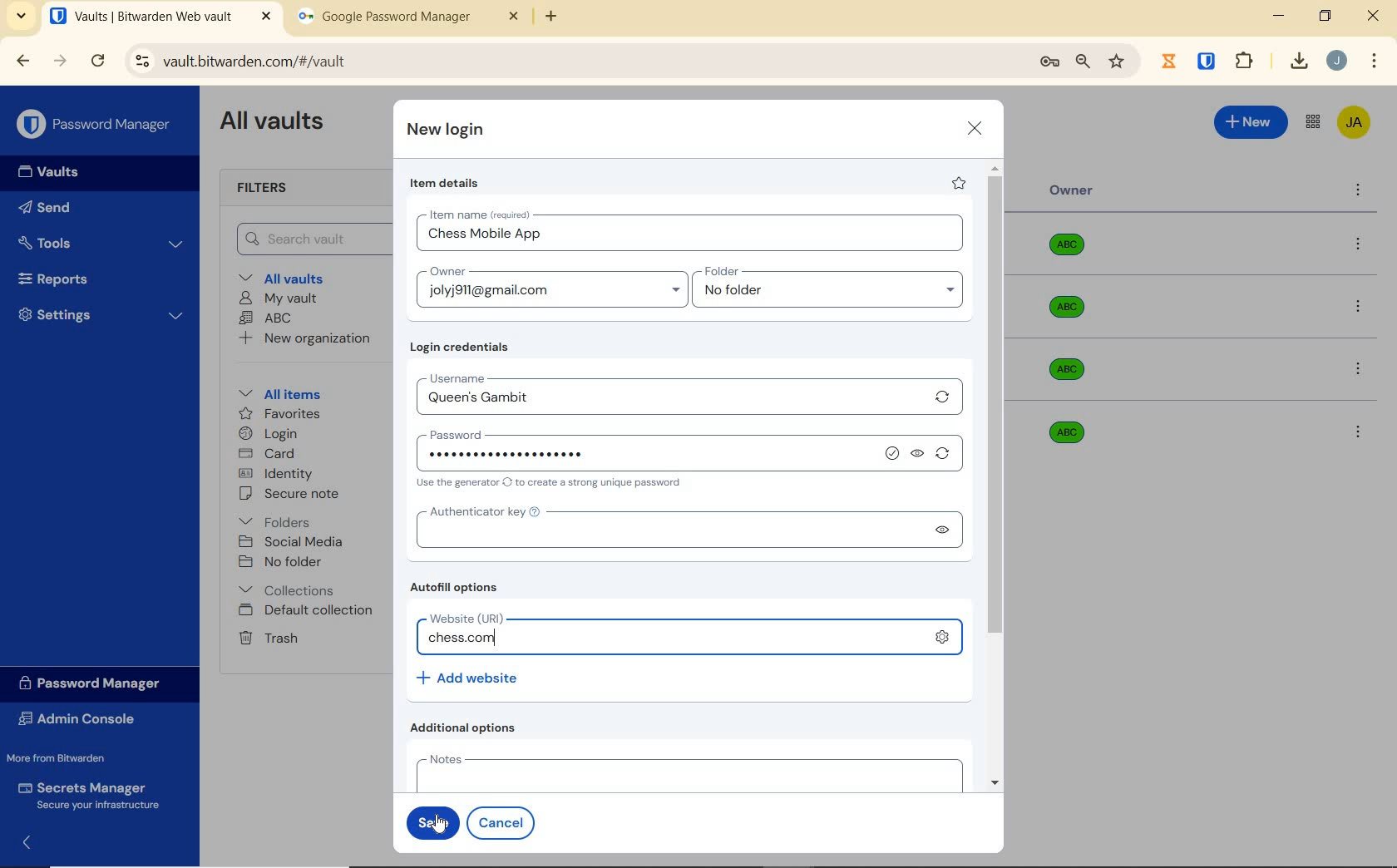 This screenshot has height=868, width=1397. I want to click on Admin Console, so click(81, 721).